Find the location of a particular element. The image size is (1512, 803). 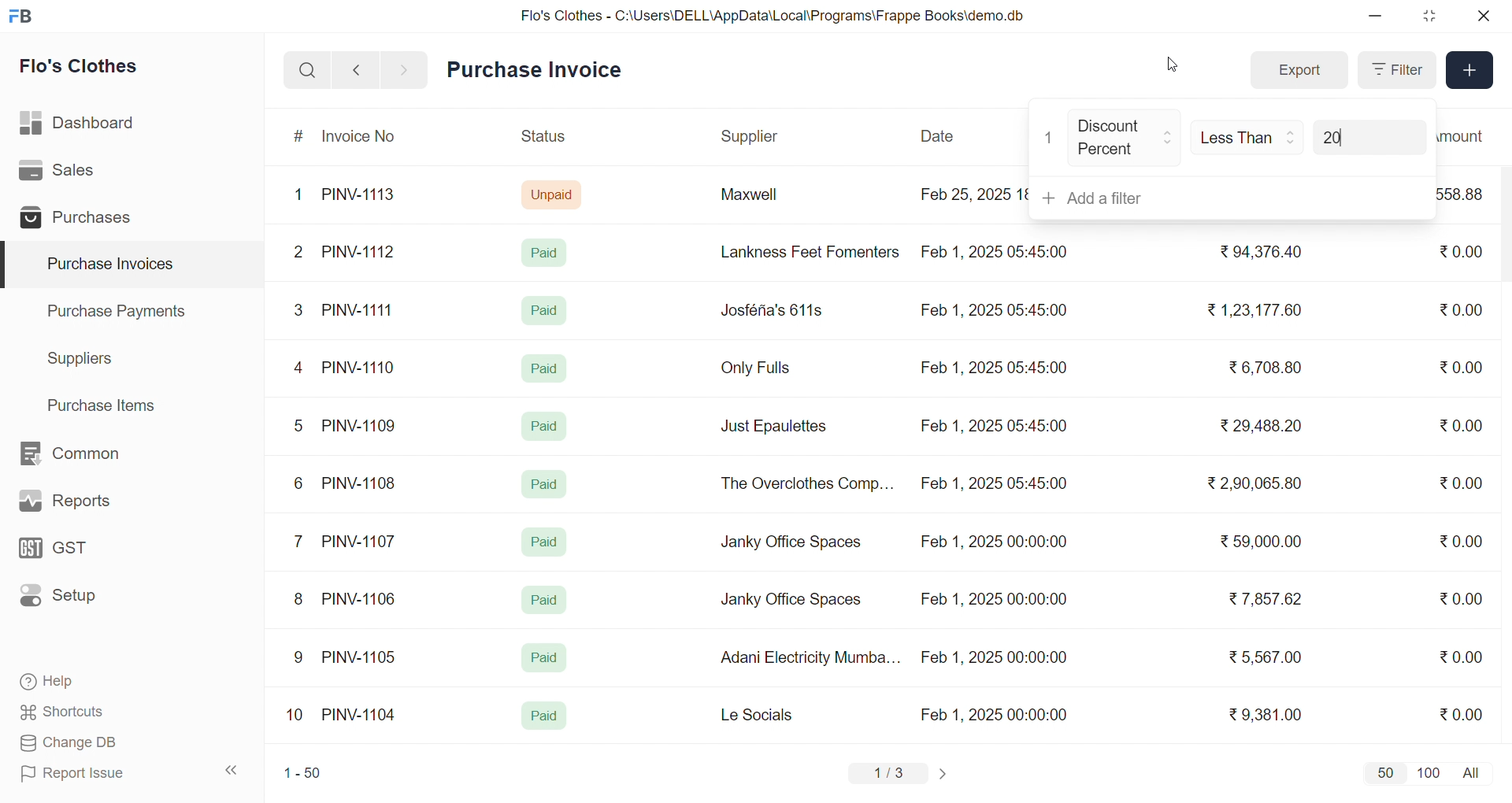

# is located at coordinates (299, 138).